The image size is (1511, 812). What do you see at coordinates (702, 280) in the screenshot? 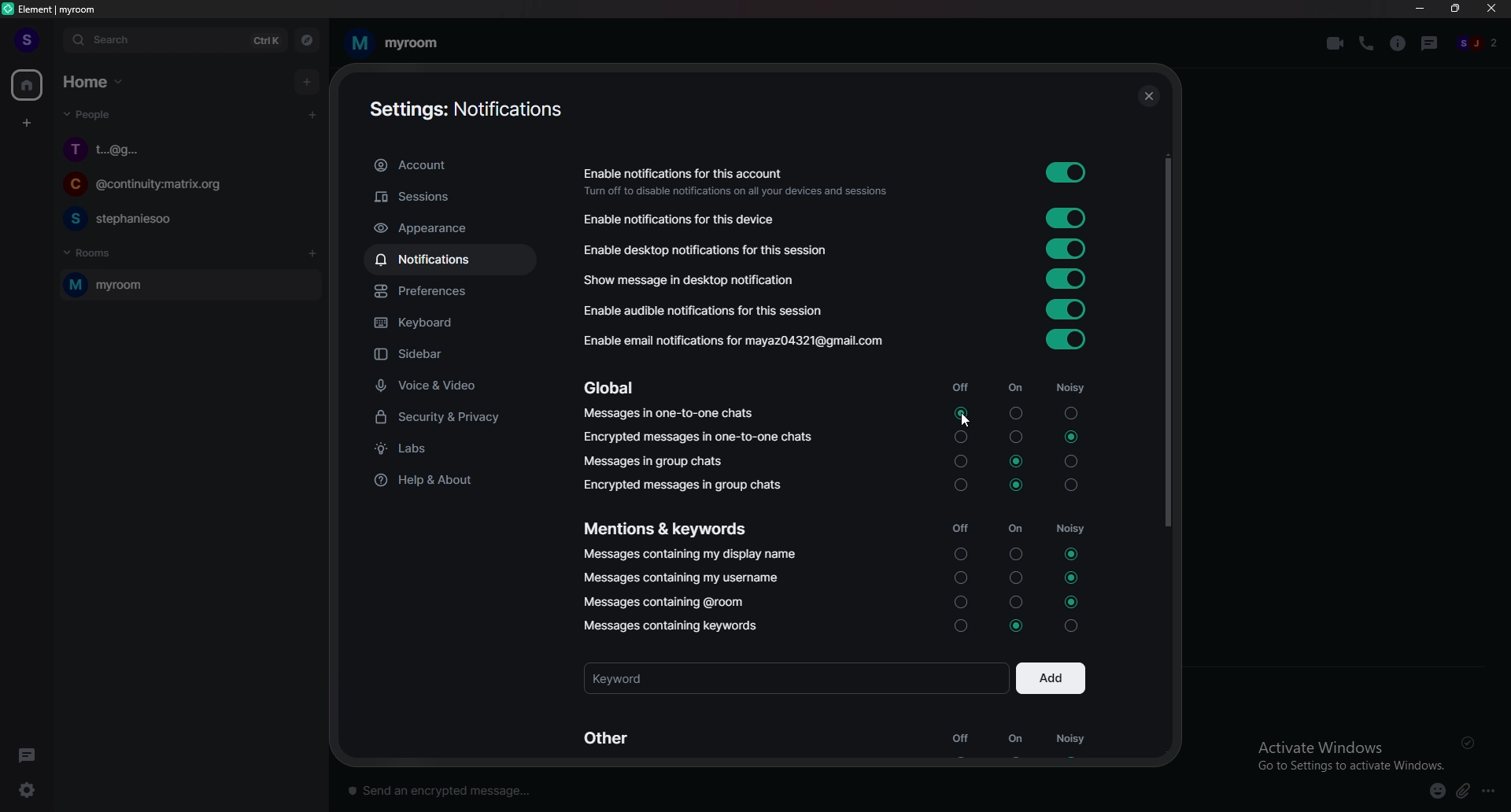
I see `show message in desktop notification` at bounding box center [702, 280].